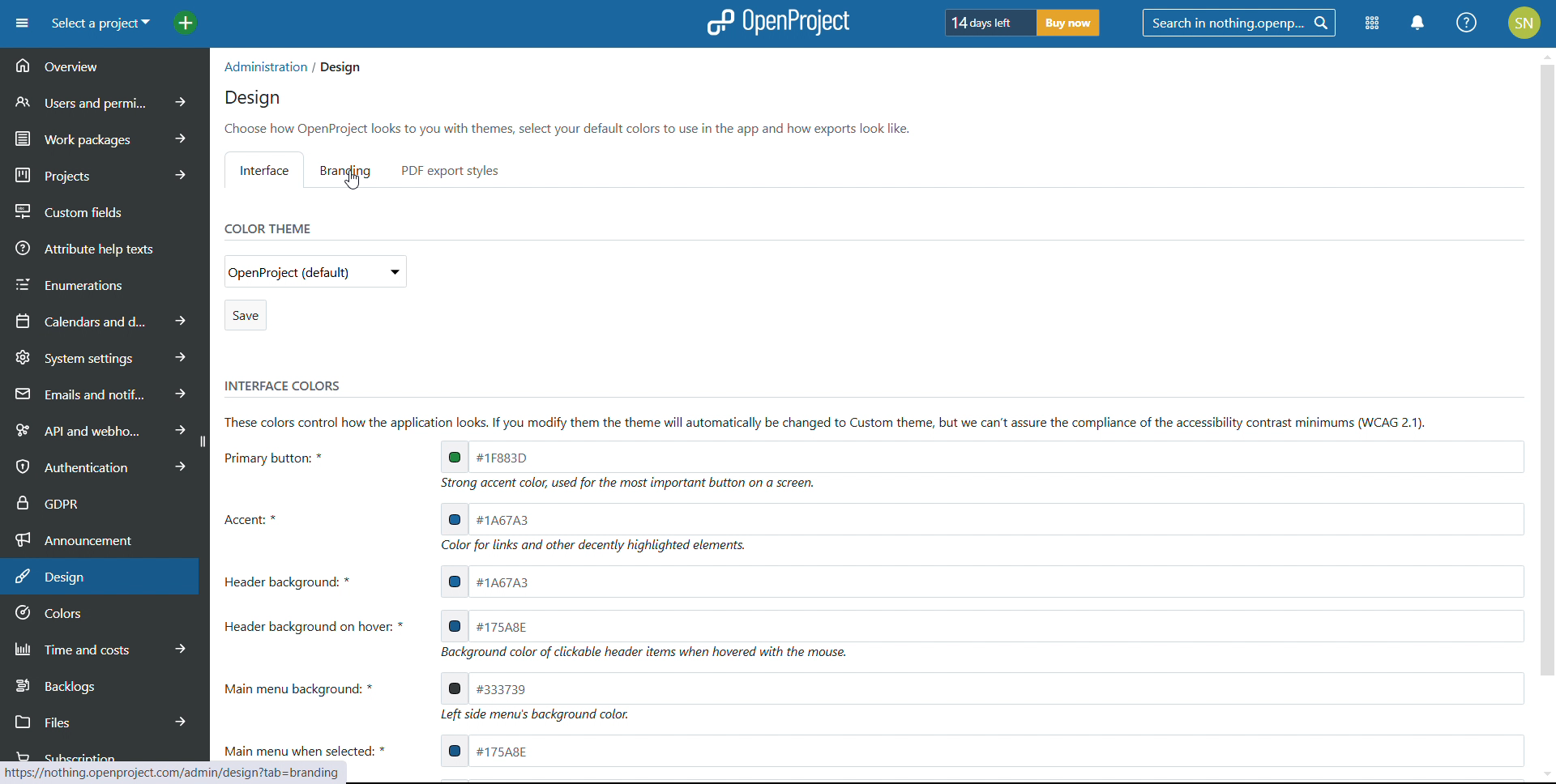 This screenshot has width=1556, height=784. I want to click on | Main menu background: *, so click(307, 688).